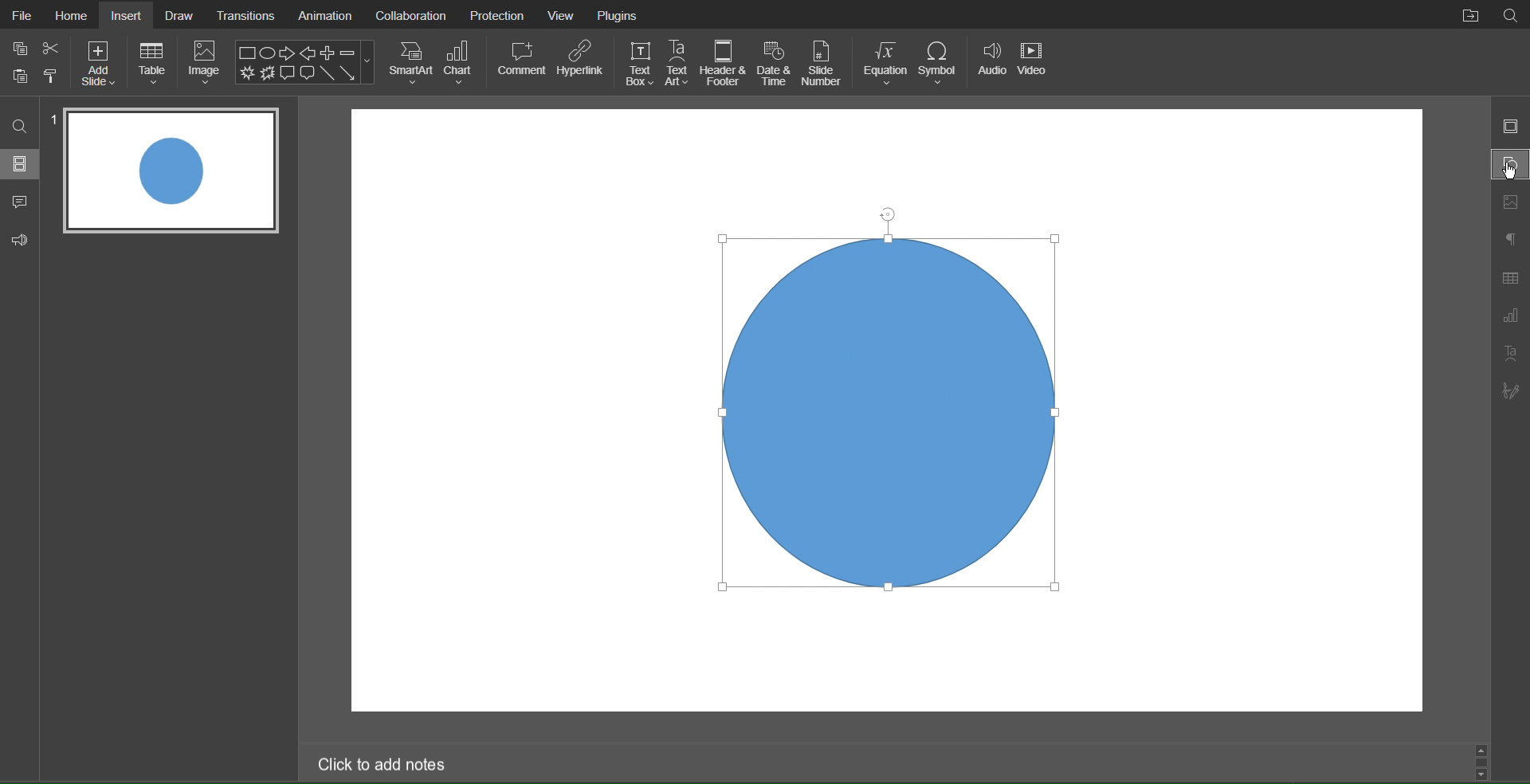  Describe the element at coordinates (246, 14) in the screenshot. I see `Translations` at that location.